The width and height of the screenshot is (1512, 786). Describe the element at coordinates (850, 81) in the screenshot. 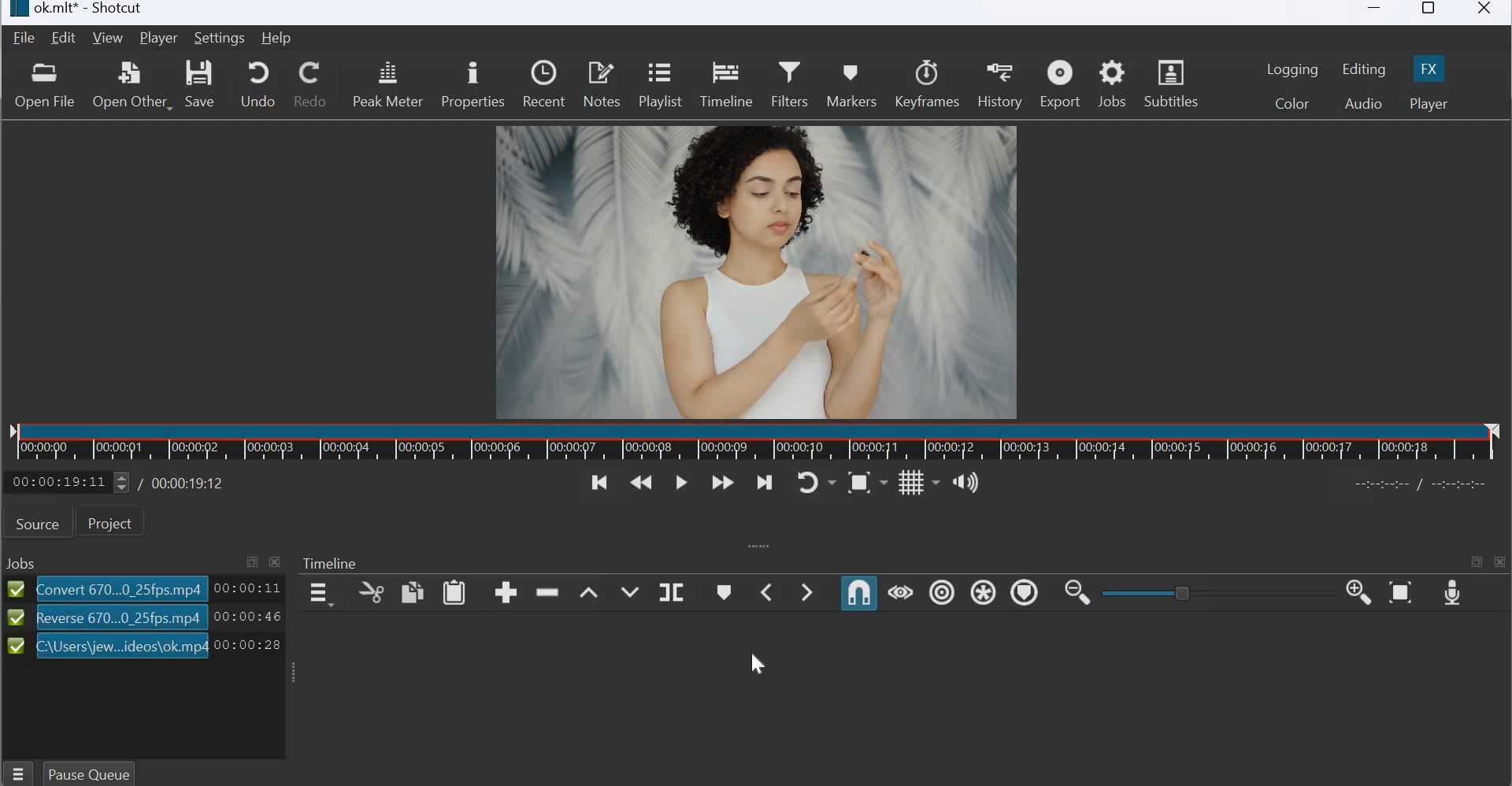

I see `Markers` at that location.